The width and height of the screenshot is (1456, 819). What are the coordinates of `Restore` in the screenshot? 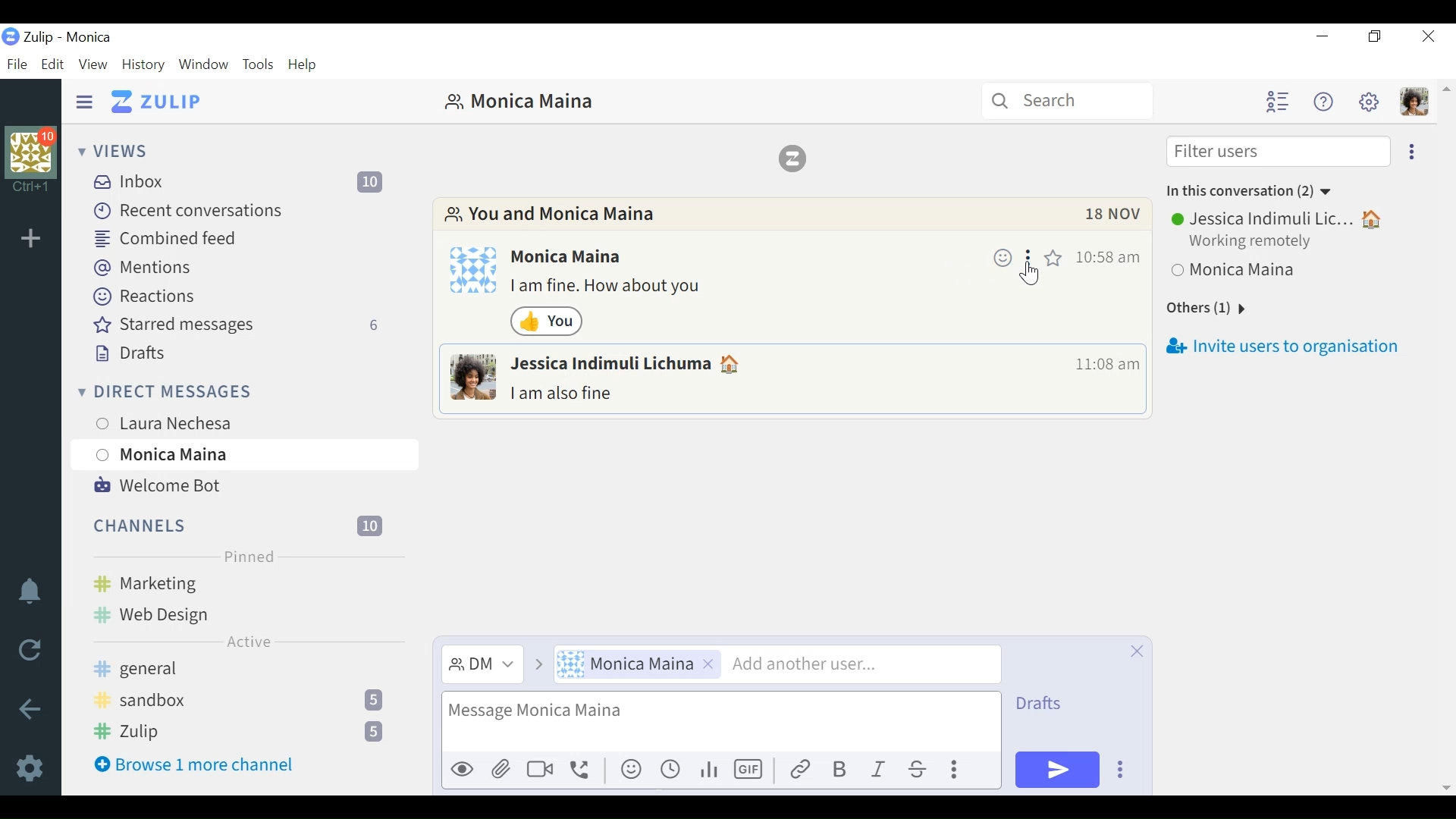 It's located at (1375, 37).